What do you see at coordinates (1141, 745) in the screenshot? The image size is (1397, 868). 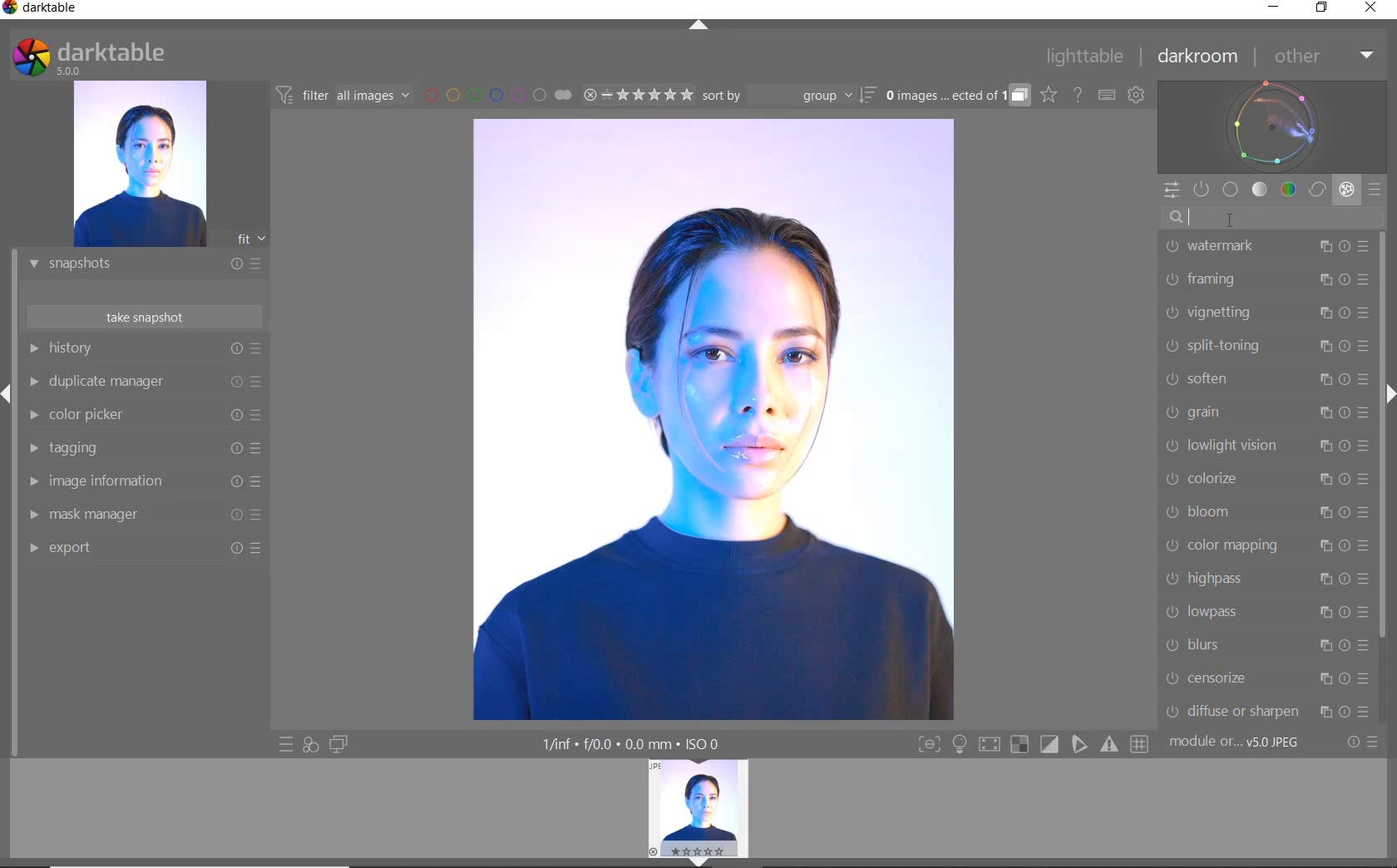 I see `Button` at bounding box center [1141, 745].